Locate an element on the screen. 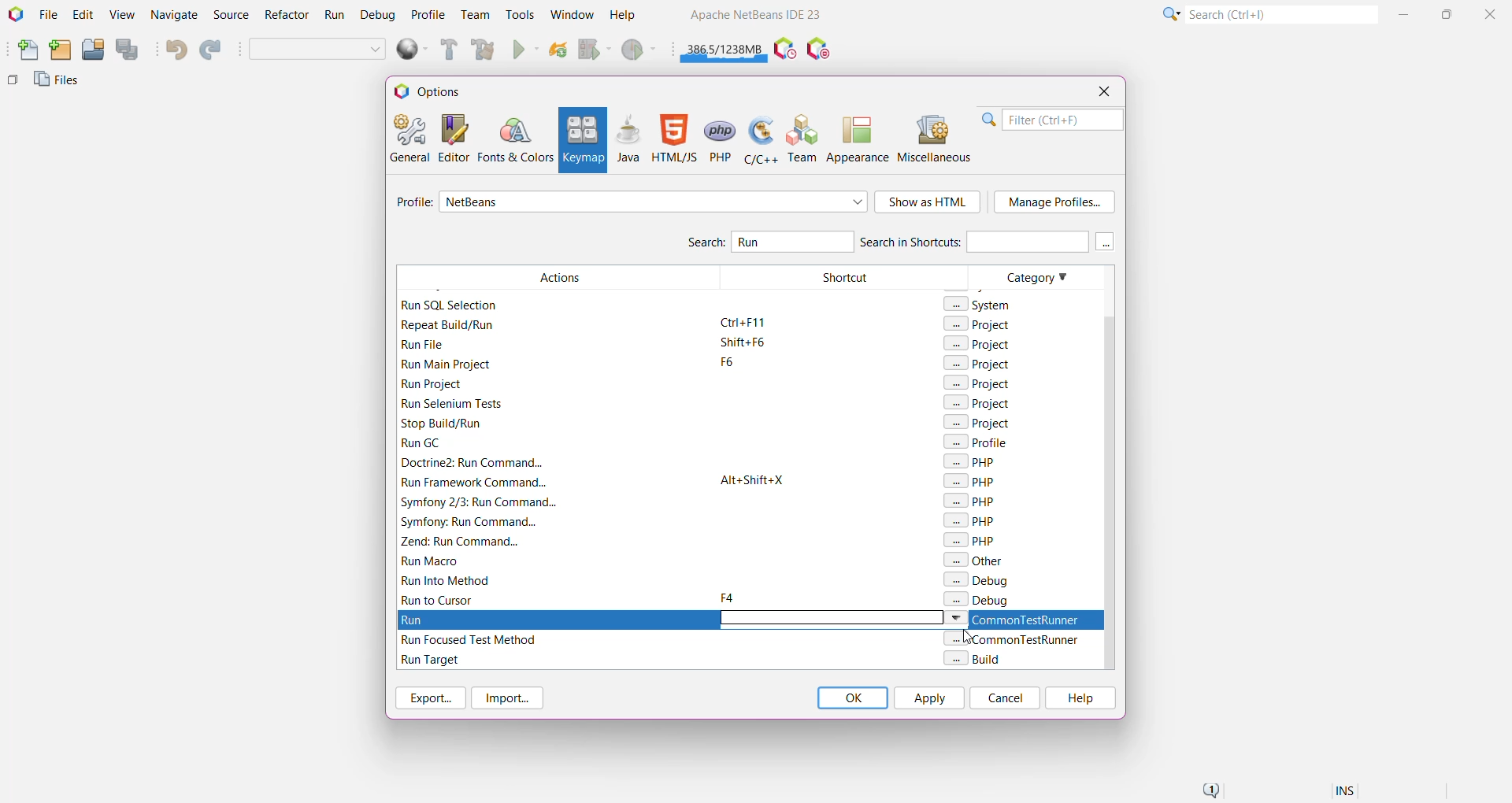  Run is located at coordinates (526, 51).